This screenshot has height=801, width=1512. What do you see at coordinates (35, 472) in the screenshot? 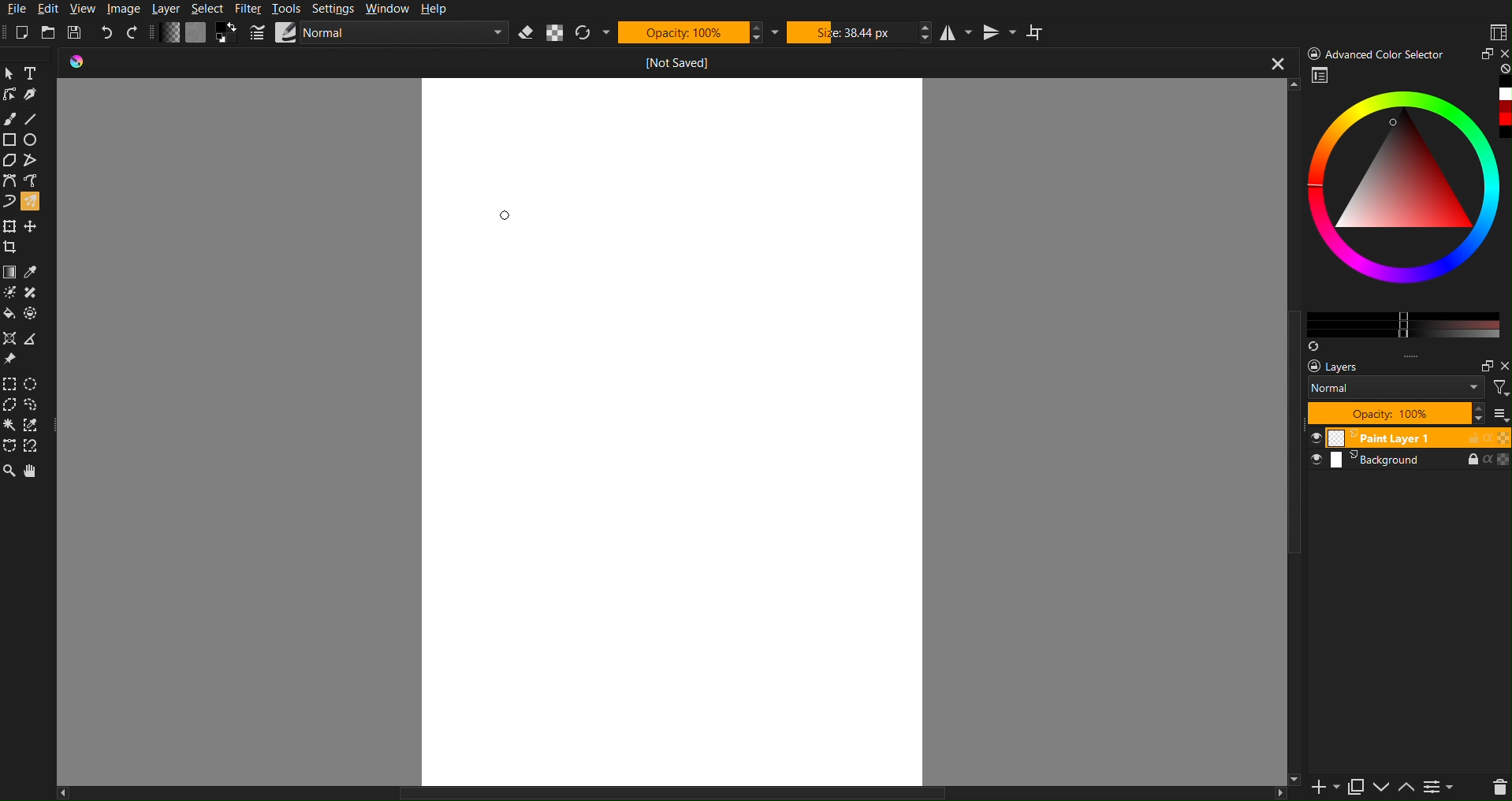
I see `Pan` at bounding box center [35, 472].